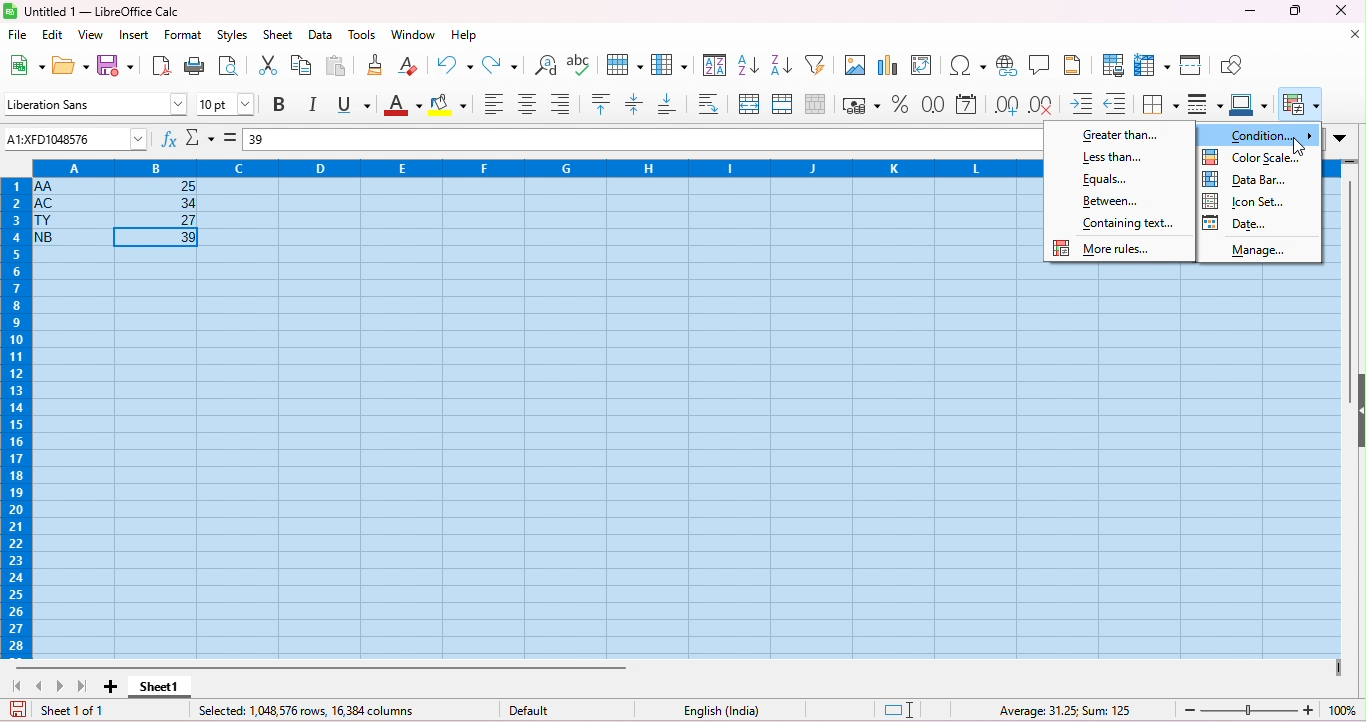 The height and width of the screenshot is (722, 1366). Describe the element at coordinates (1251, 179) in the screenshot. I see `date bar` at that location.